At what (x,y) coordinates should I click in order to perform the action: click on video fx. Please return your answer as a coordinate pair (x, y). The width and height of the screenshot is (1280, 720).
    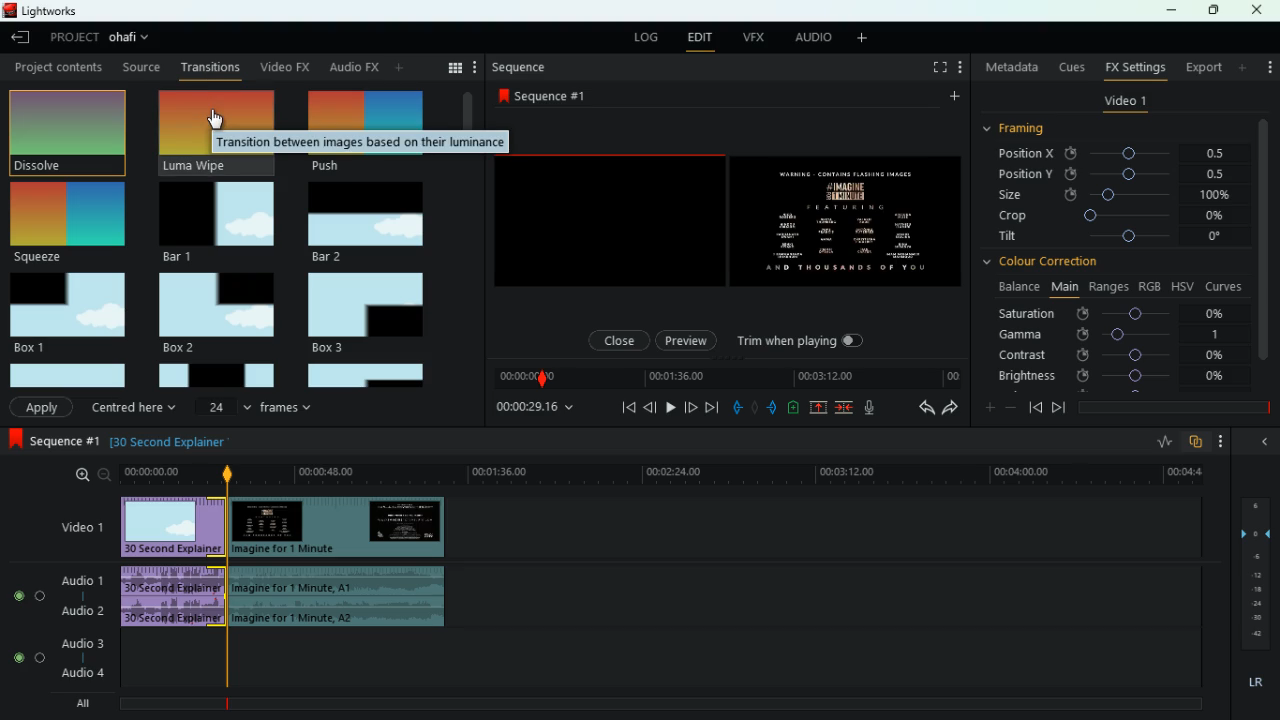
    Looking at the image, I should click on (282, 68).